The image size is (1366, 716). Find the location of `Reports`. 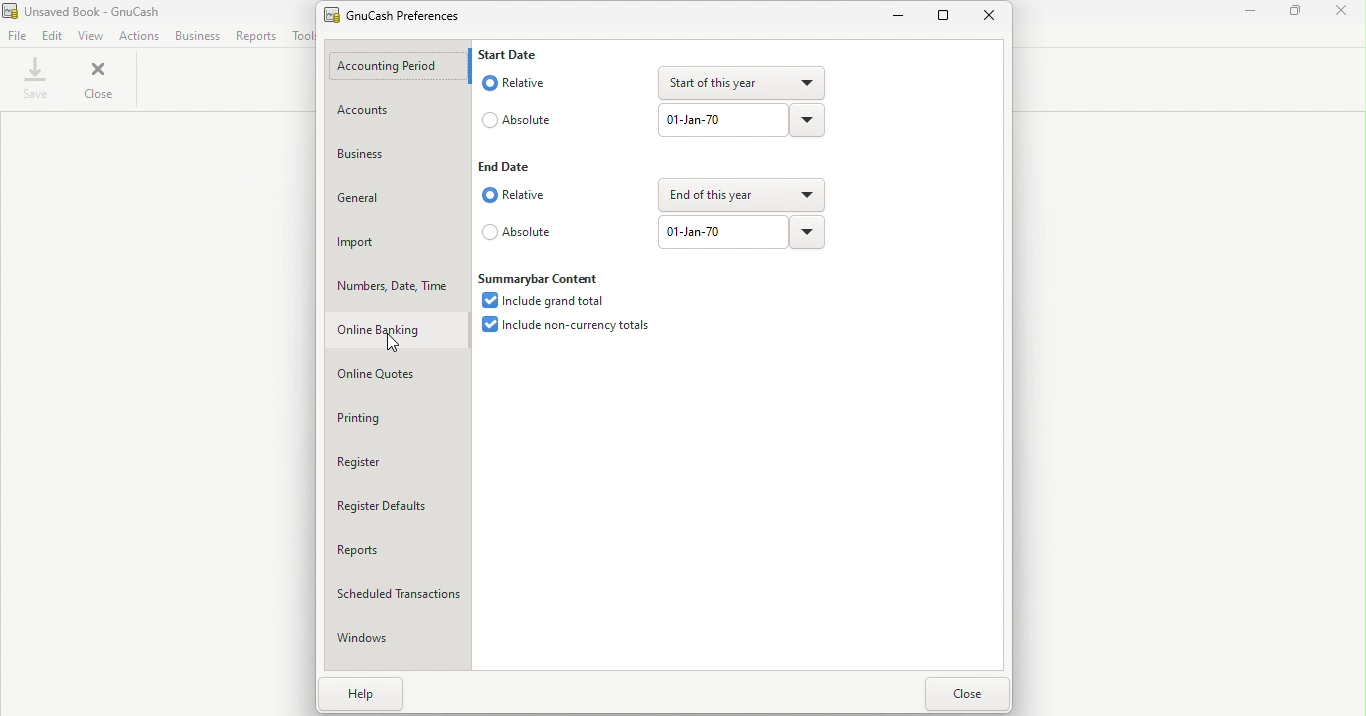

Reports is located at coordinates (254, 36).